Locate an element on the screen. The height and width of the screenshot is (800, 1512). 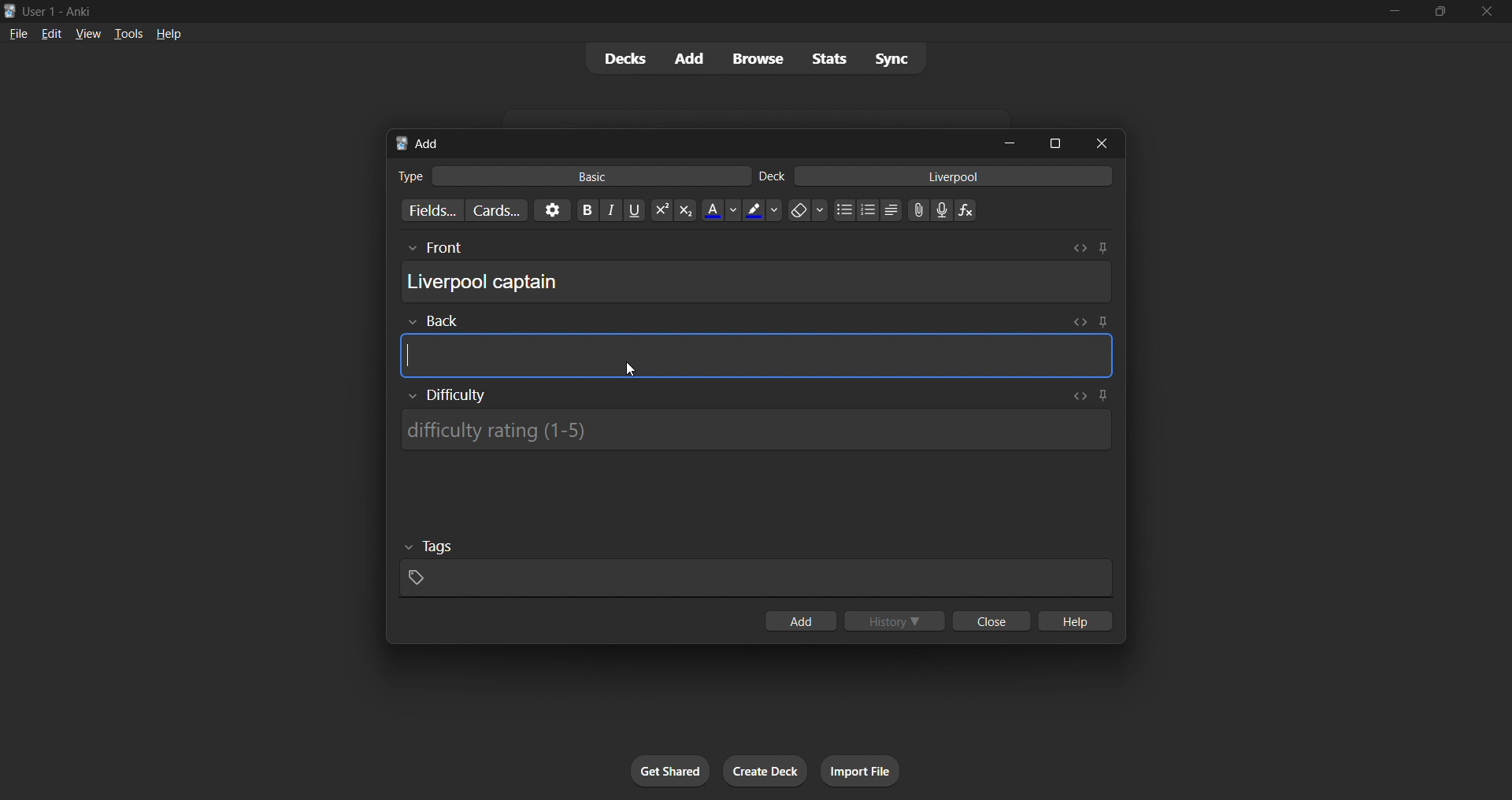
Record audio is located at coordinates (942, 210).